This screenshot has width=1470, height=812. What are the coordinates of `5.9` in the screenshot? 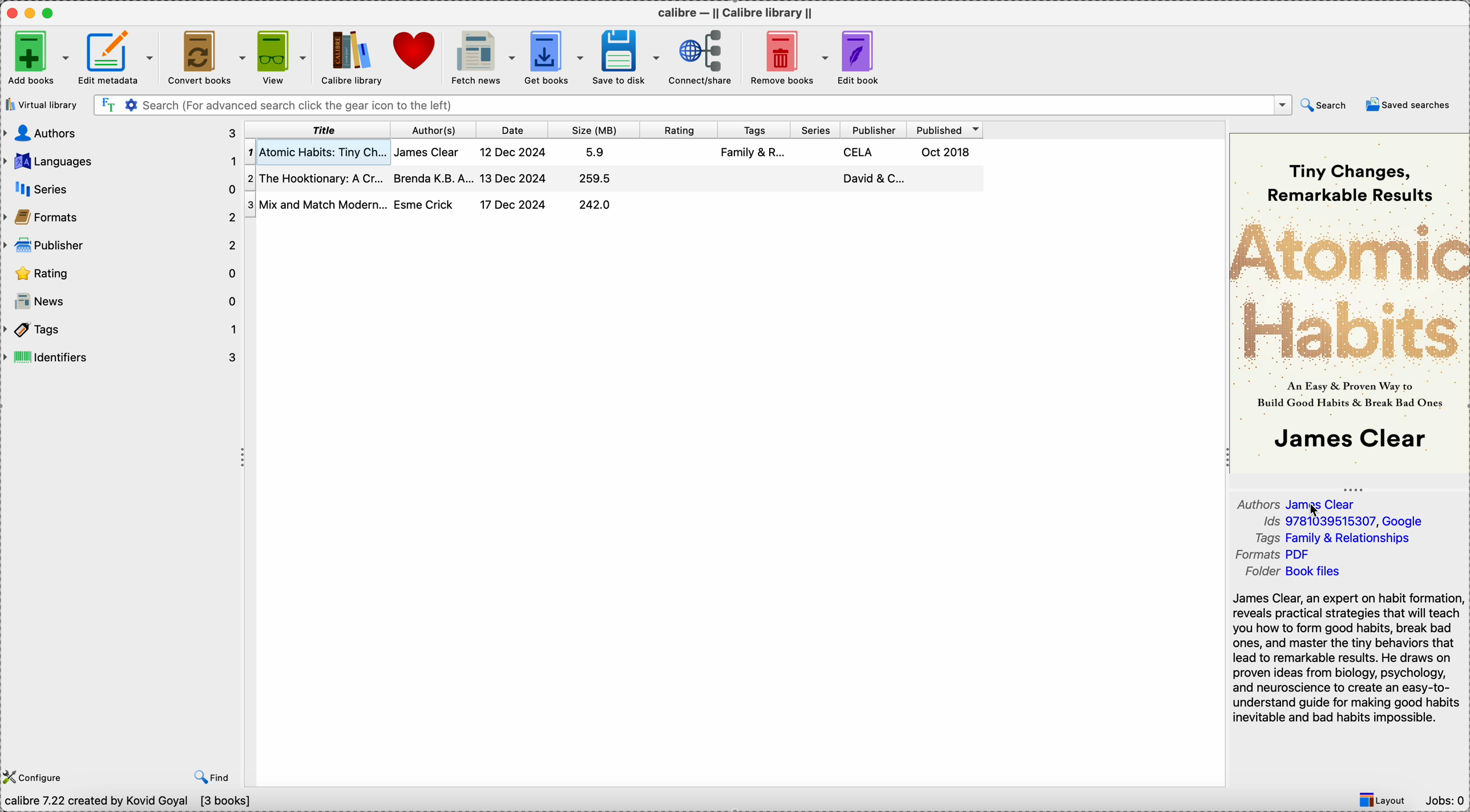 It's located at (595, 152).